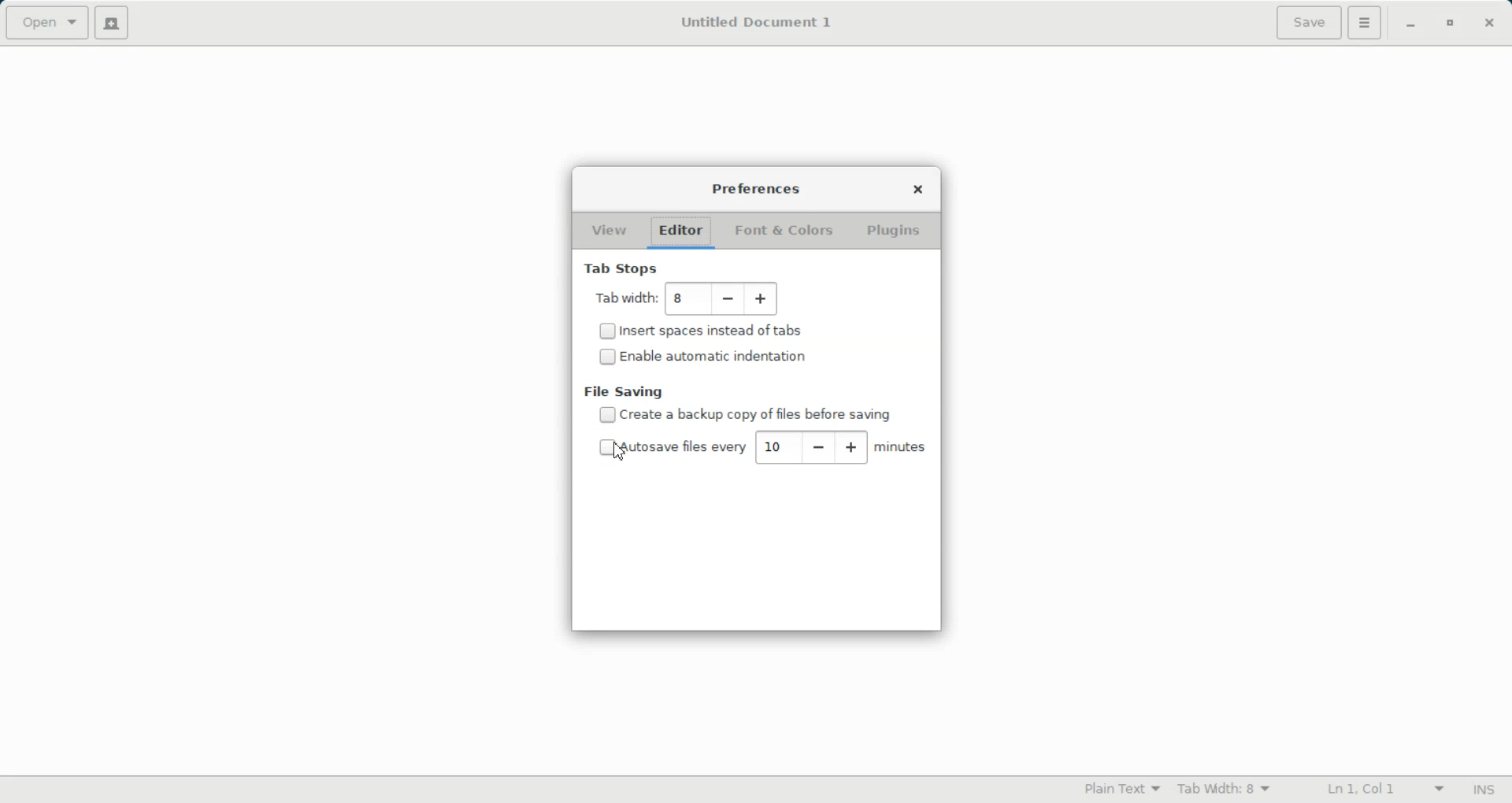  Describe the element at coordinates (771, 445) in the screenshot. I see `10` at that location.